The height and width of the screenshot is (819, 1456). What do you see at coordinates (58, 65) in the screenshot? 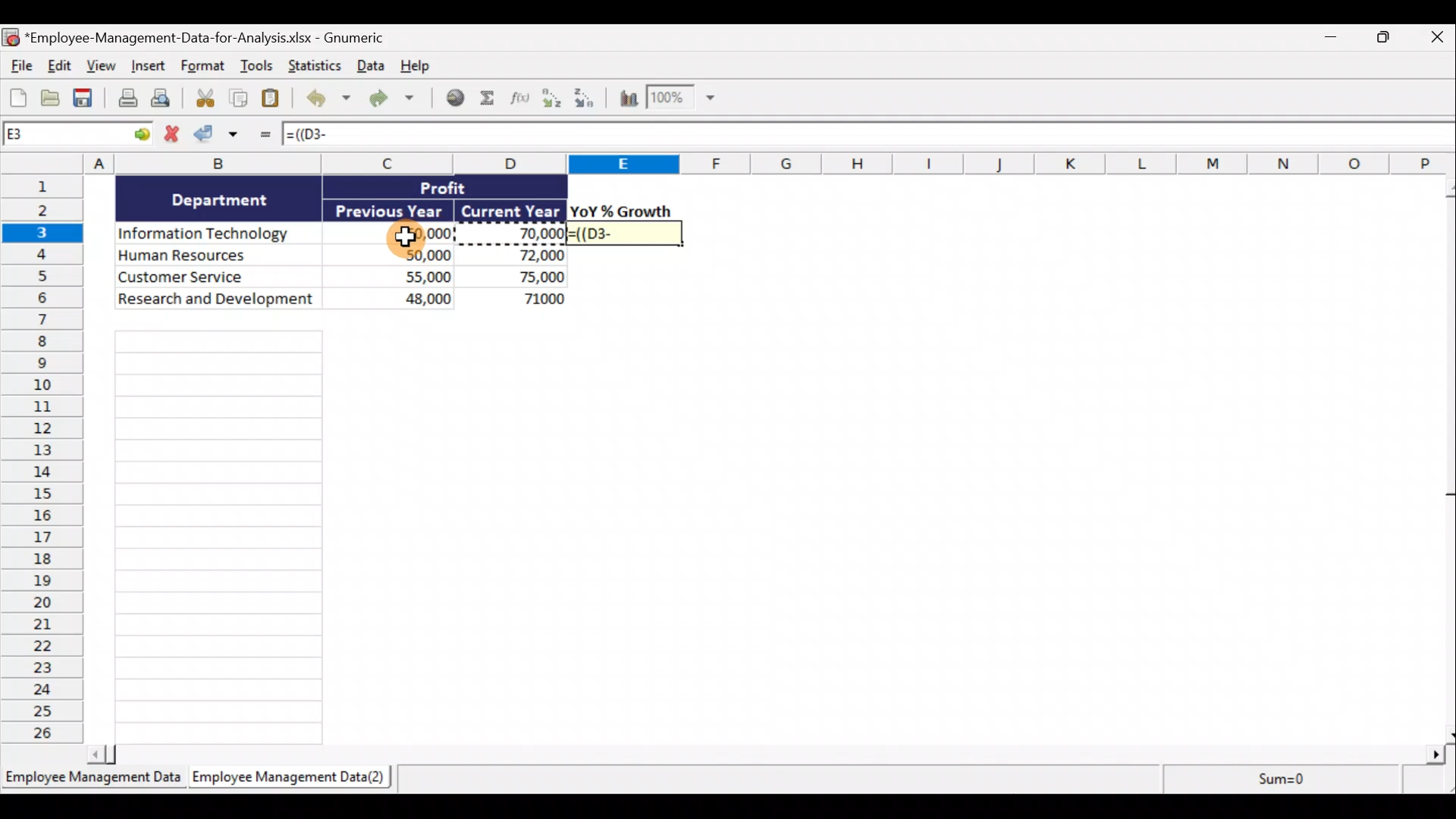
I see `Edit` at bounding box center [58, 65].